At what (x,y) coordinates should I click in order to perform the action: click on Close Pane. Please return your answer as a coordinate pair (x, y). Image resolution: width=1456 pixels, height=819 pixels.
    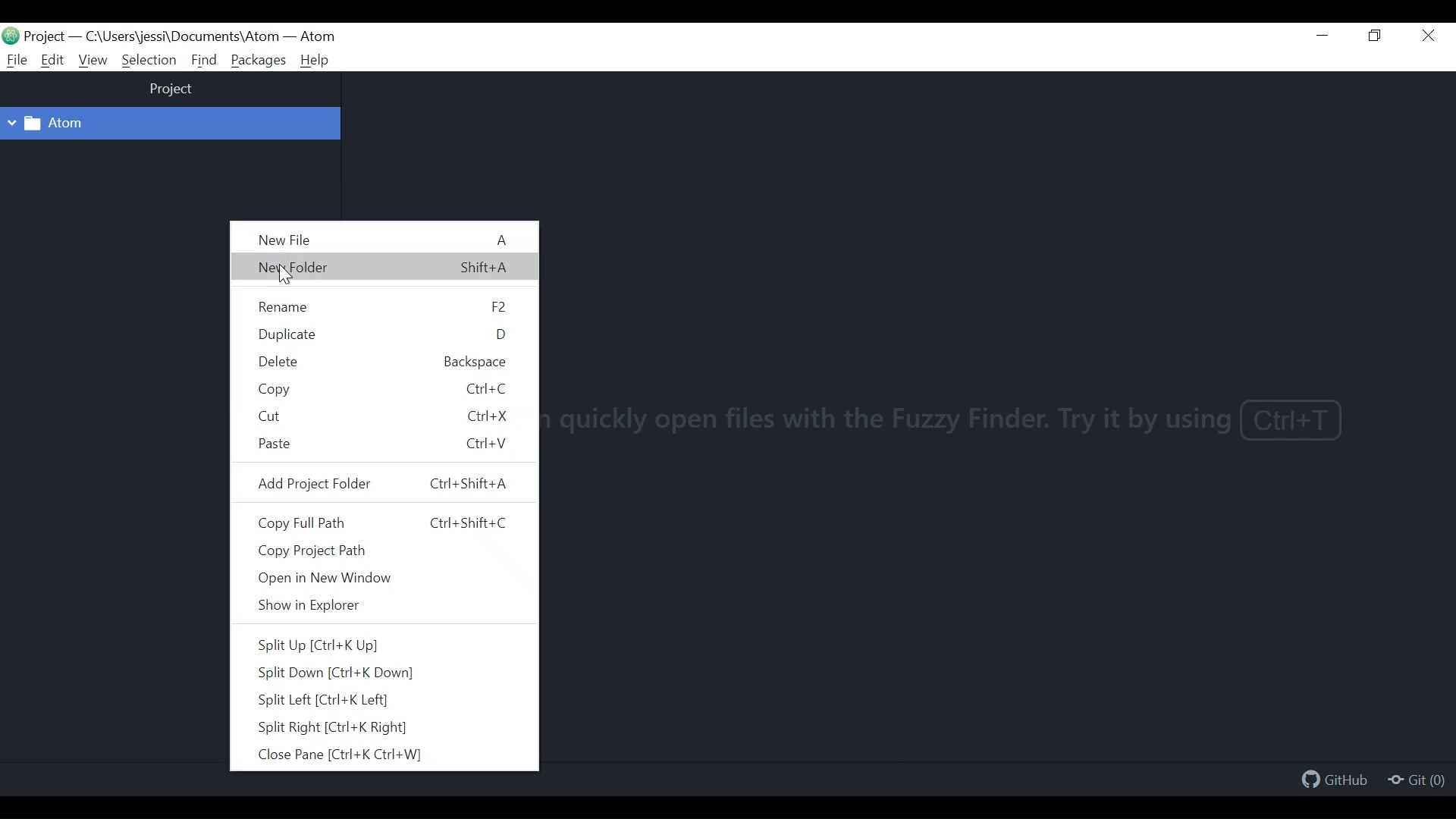
    Looking at the image, I should click on (338, 755).